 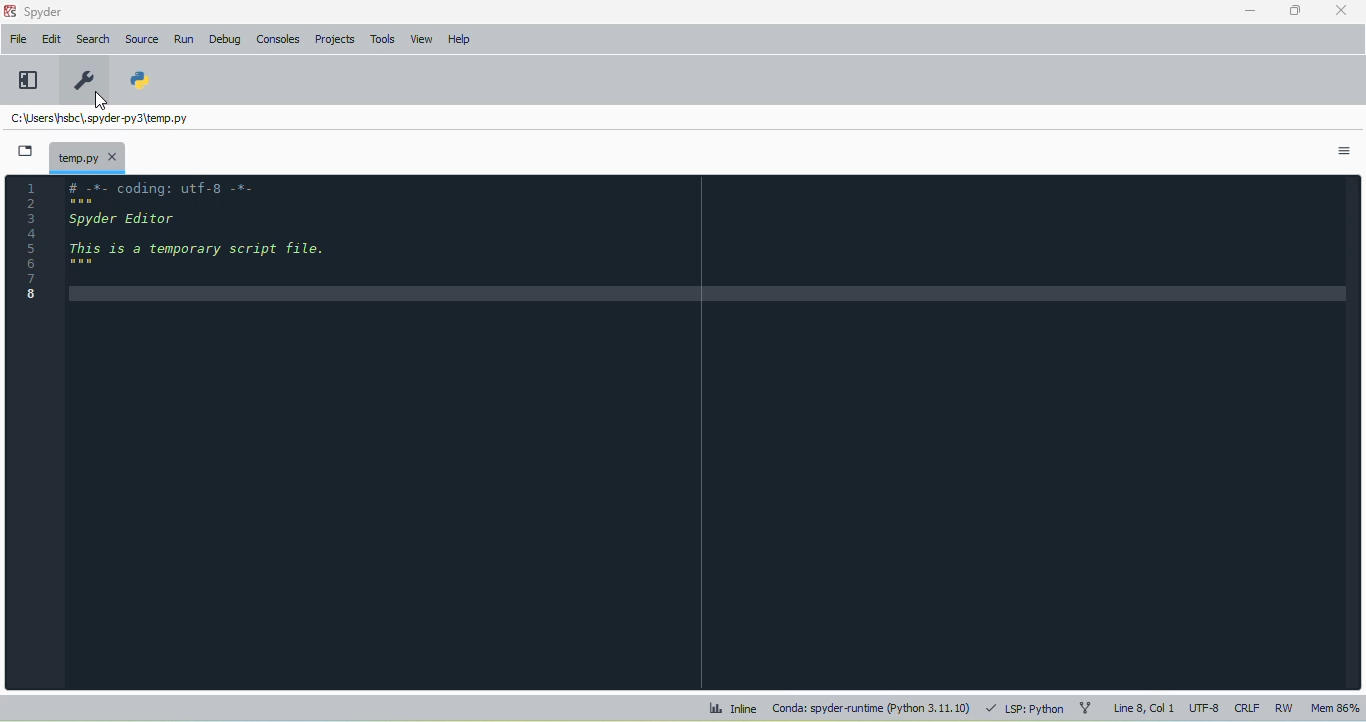 What do you see at coordinates (872, 707) in the screenshot?
I see `conda: spyder-runtime (python 3. 11. 10)` at bounding box center [872, 707].